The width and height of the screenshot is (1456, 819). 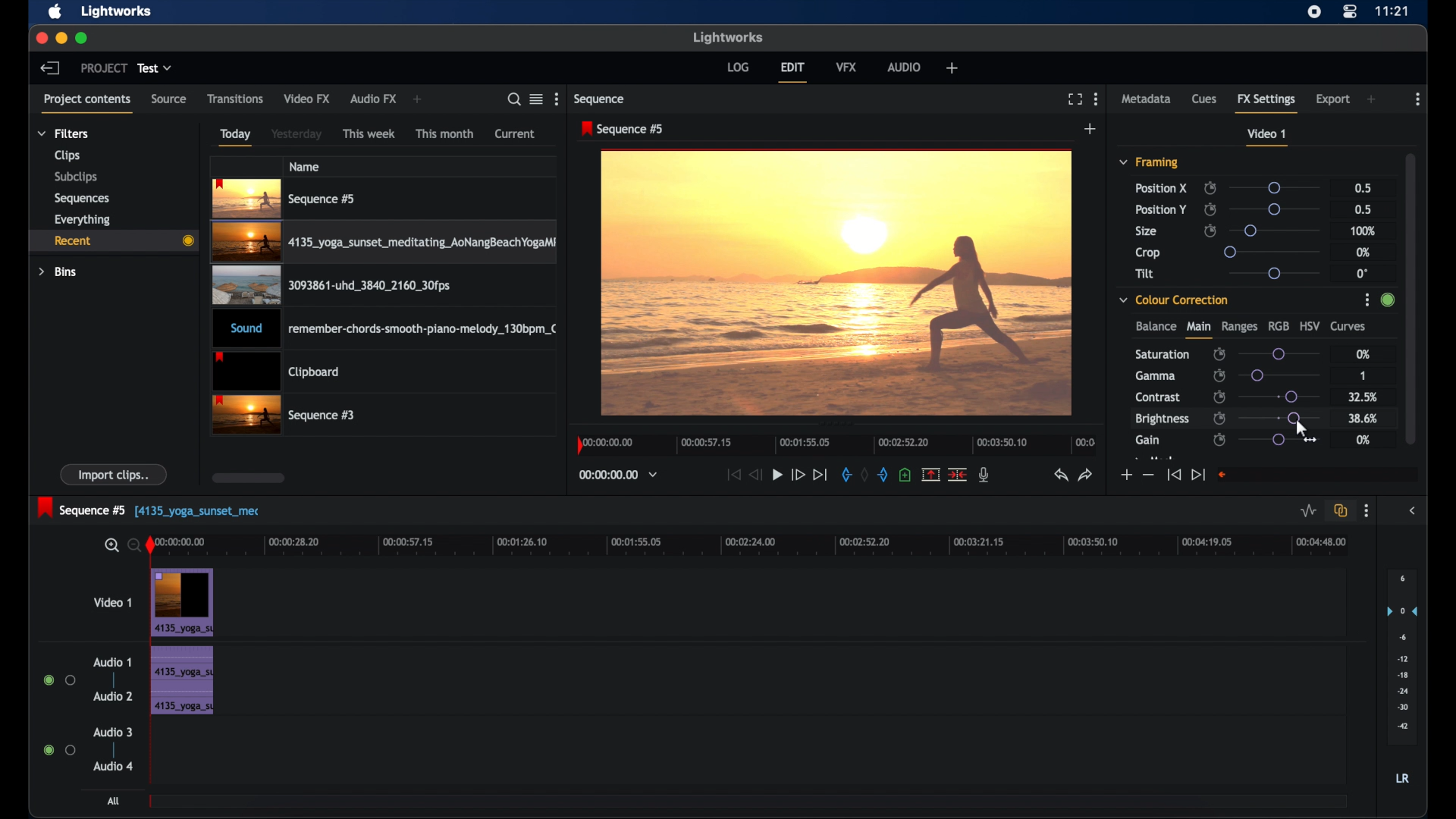 I want to click on gain, so click(x=1147, y=441).